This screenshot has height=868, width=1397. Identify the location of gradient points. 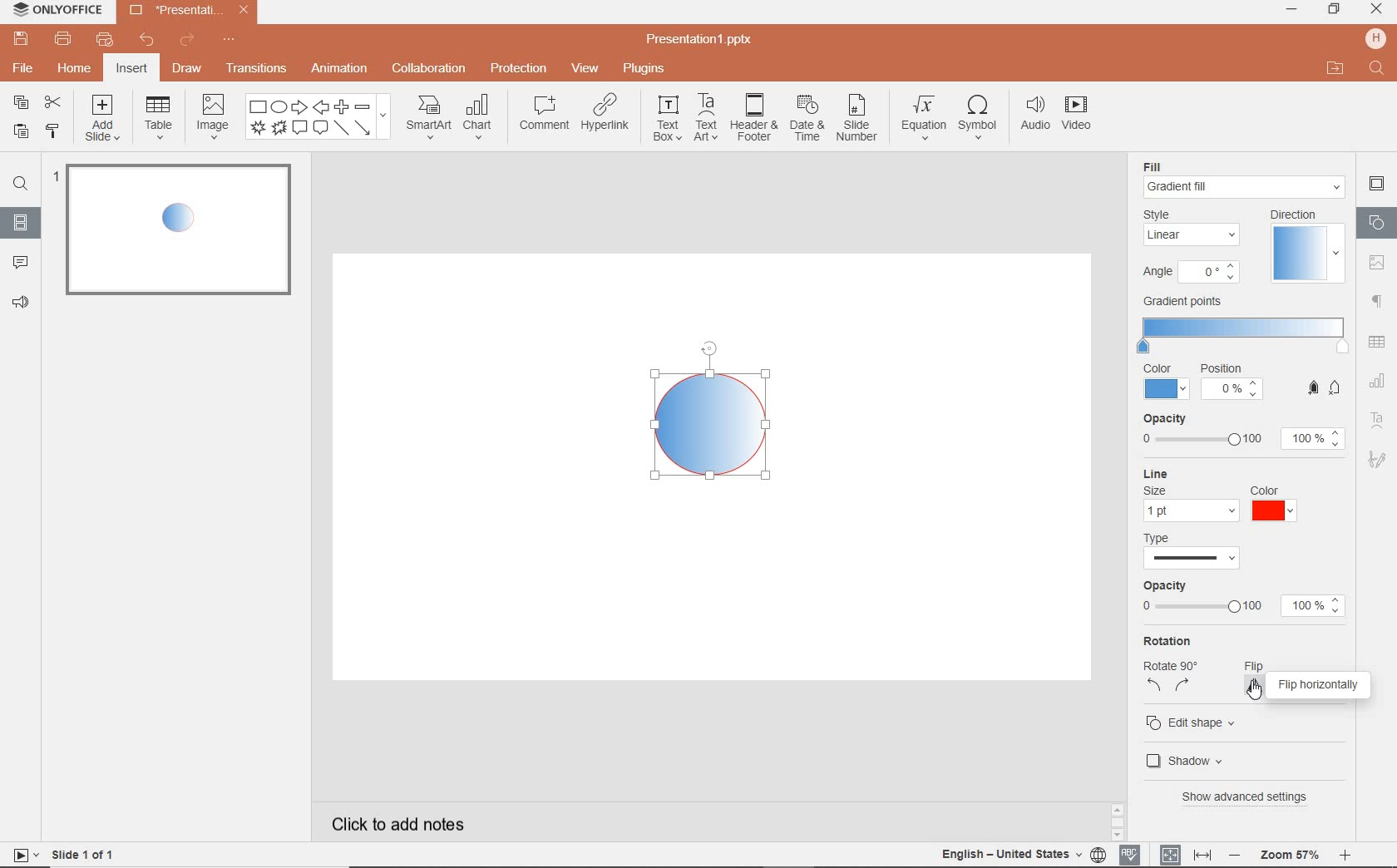
(1243, 327).